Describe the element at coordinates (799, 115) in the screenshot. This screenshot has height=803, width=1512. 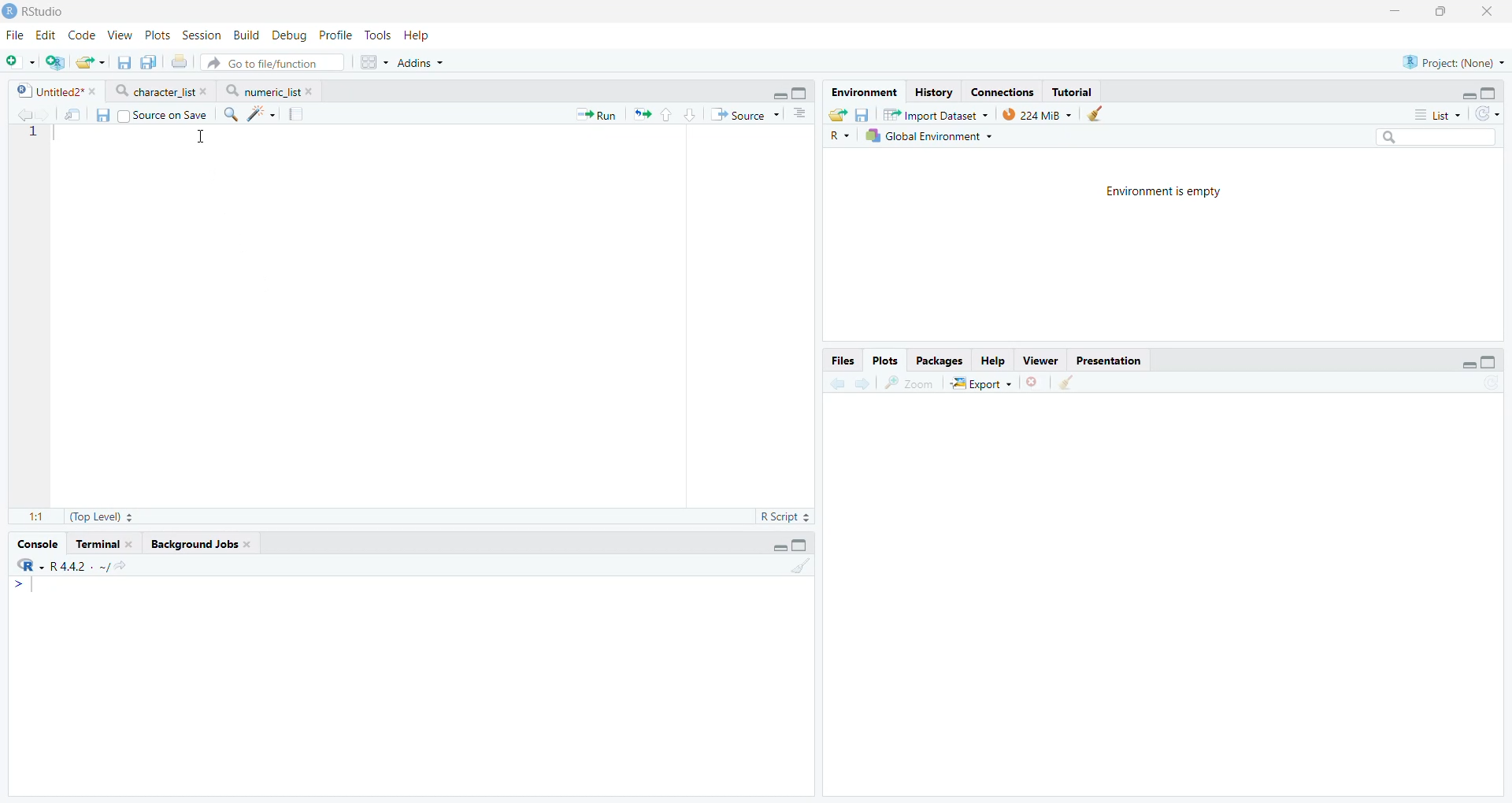
I see `Show document outline` at that location.